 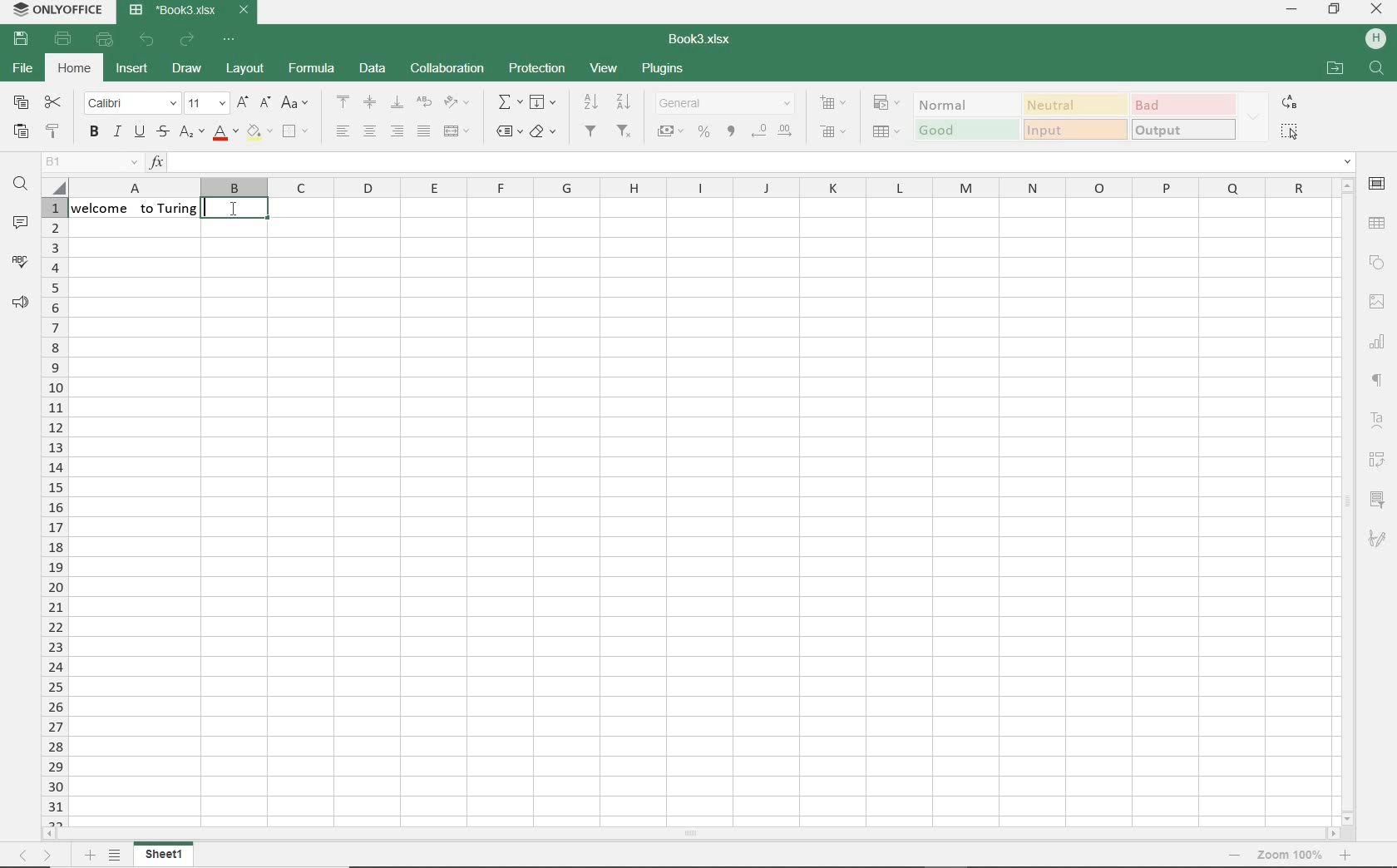 What do you see at coordinates (230, 40) in the screenshot?
I see `customize quick access toolbar` at bounding box center [230, 40].